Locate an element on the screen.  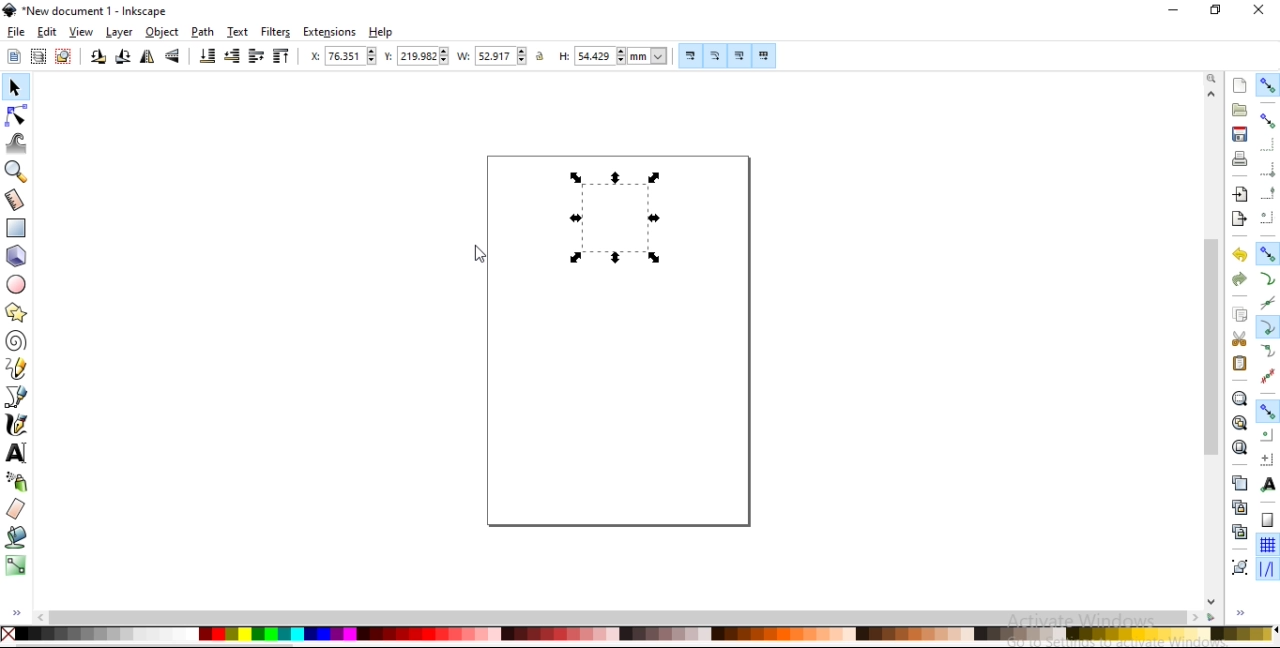
select all objects and nodes is located at coordinates (13, 57).